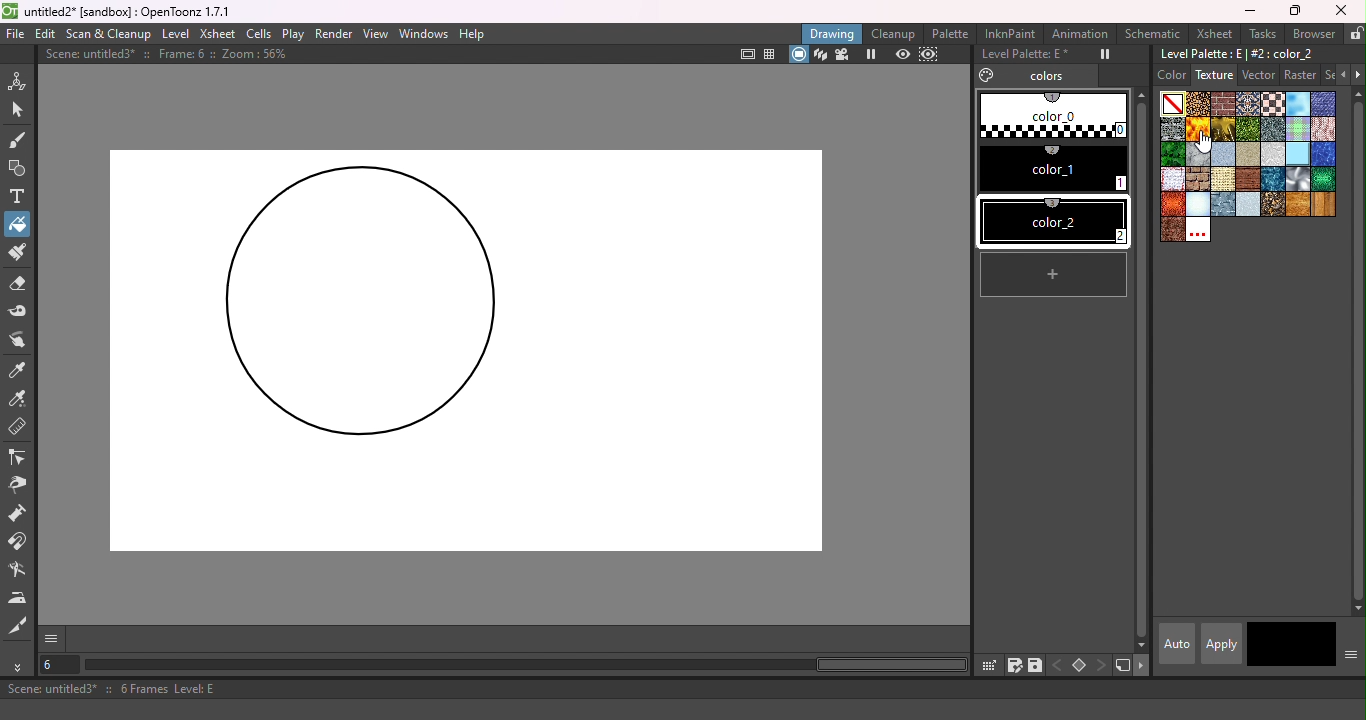 The height and width of the screenshot is (720, 1366). What do you see at coordinates (1357, 75) in the screenshot?
I see `Next` at bounding box center [1357, 75].